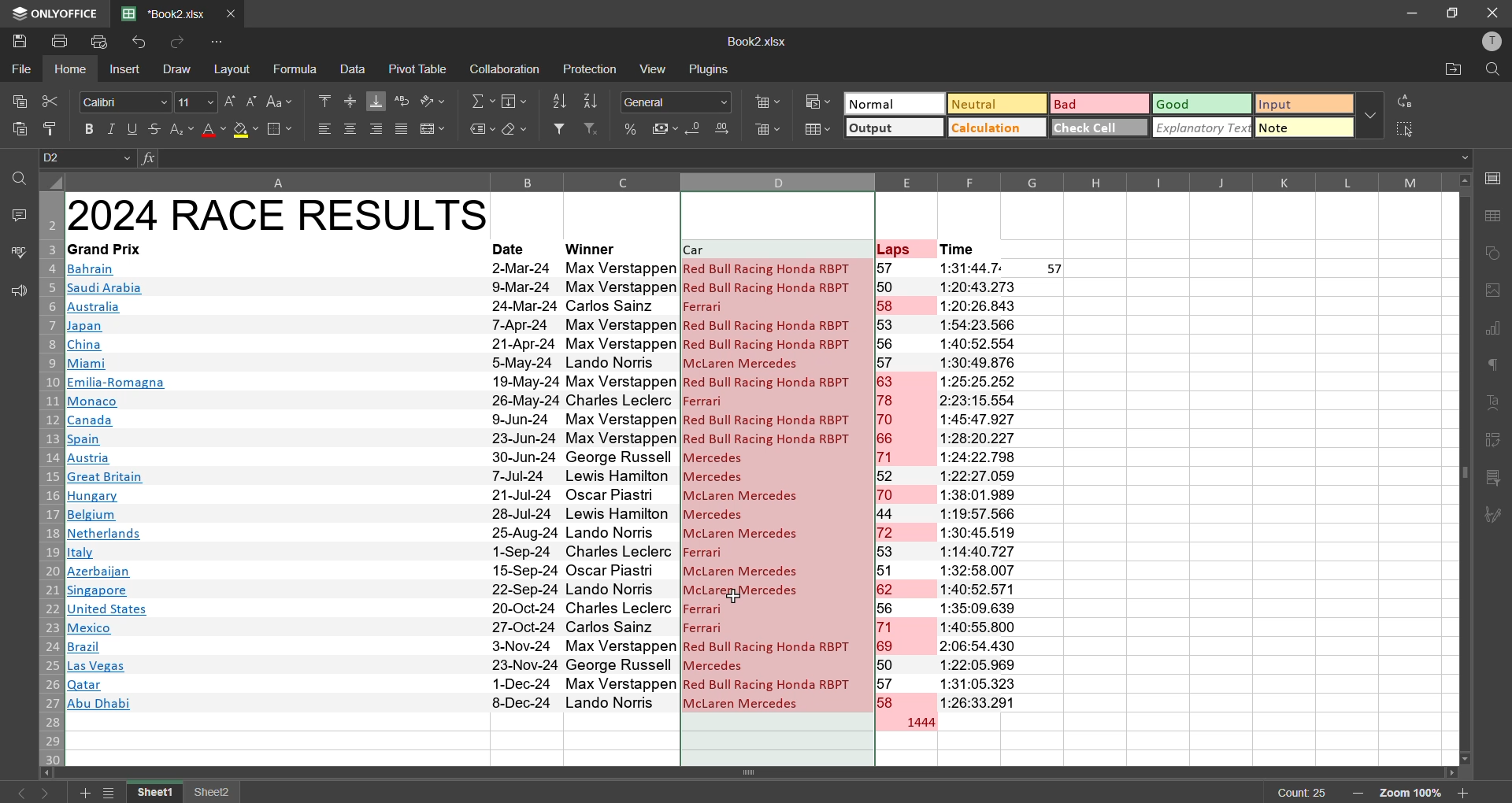 The height and width of the screenshot is (803, 1512). What do you see at coordinates (892, 130) in the screenshot?
I see `output` at bounding box center [892, 130].